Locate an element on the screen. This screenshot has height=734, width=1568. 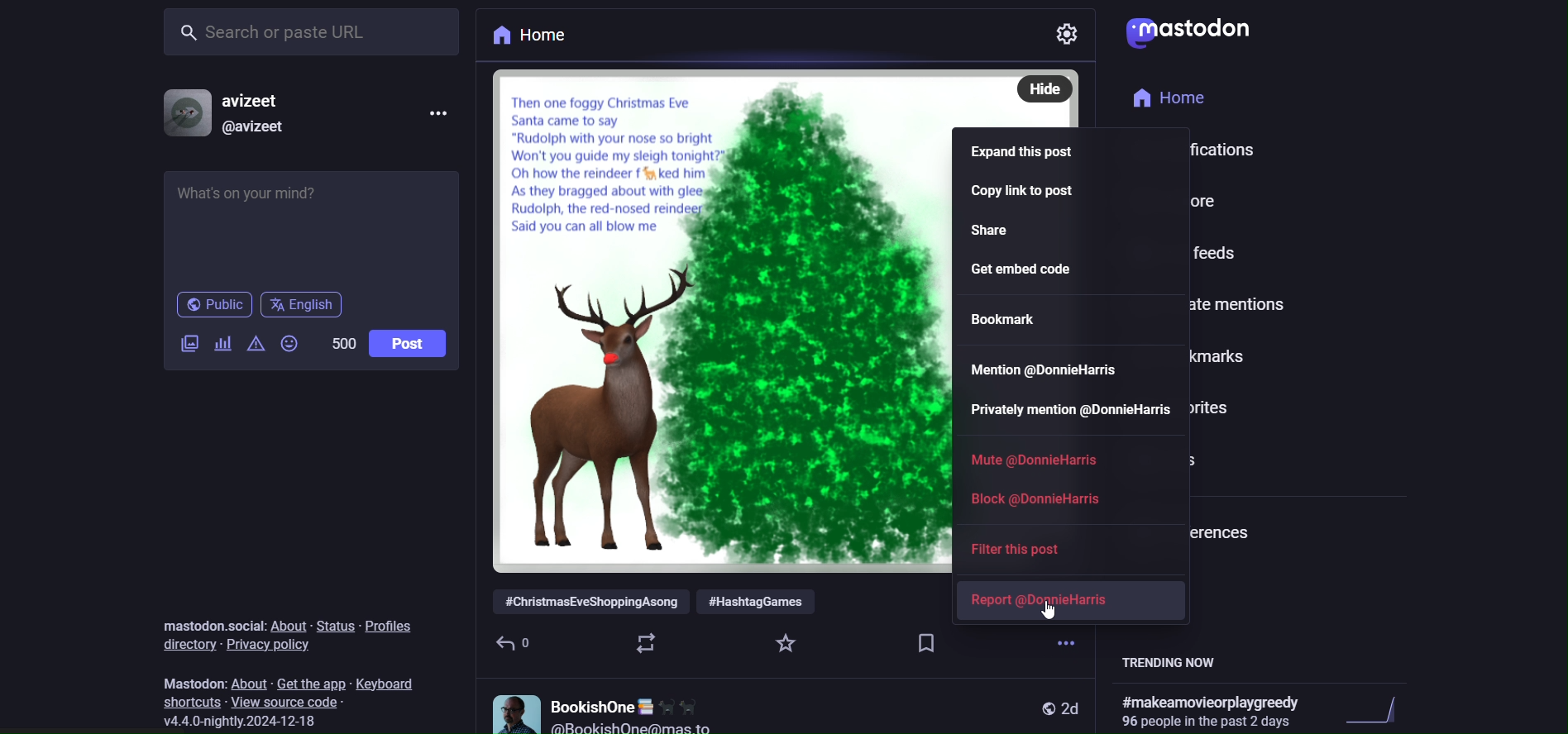
public is located at coordinates (210, 305).